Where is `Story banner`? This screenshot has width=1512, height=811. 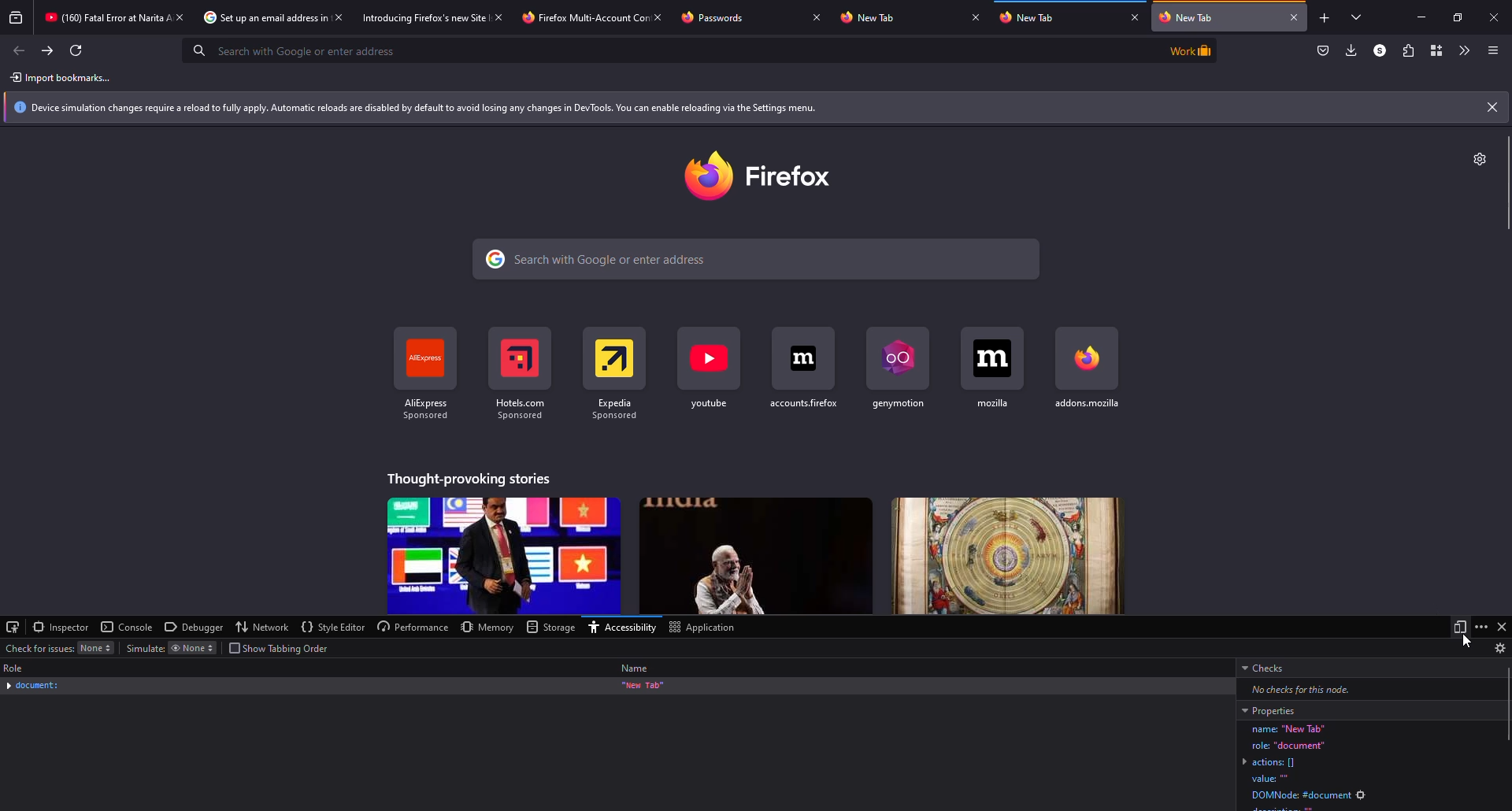 Story banner is located at coordinates (758, 556).